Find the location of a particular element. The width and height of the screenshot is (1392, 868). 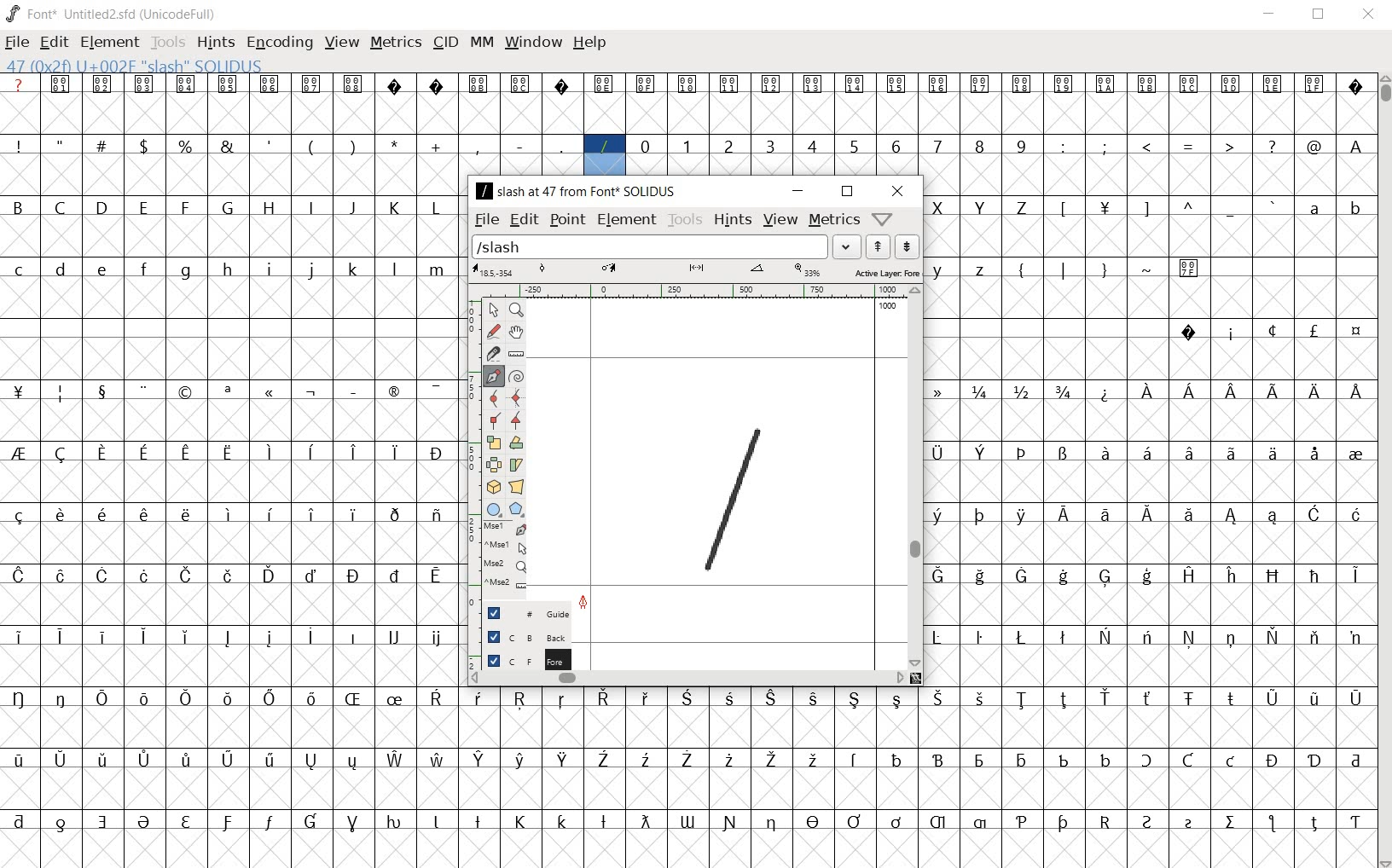

special letters is located at coordinates (235, 638).